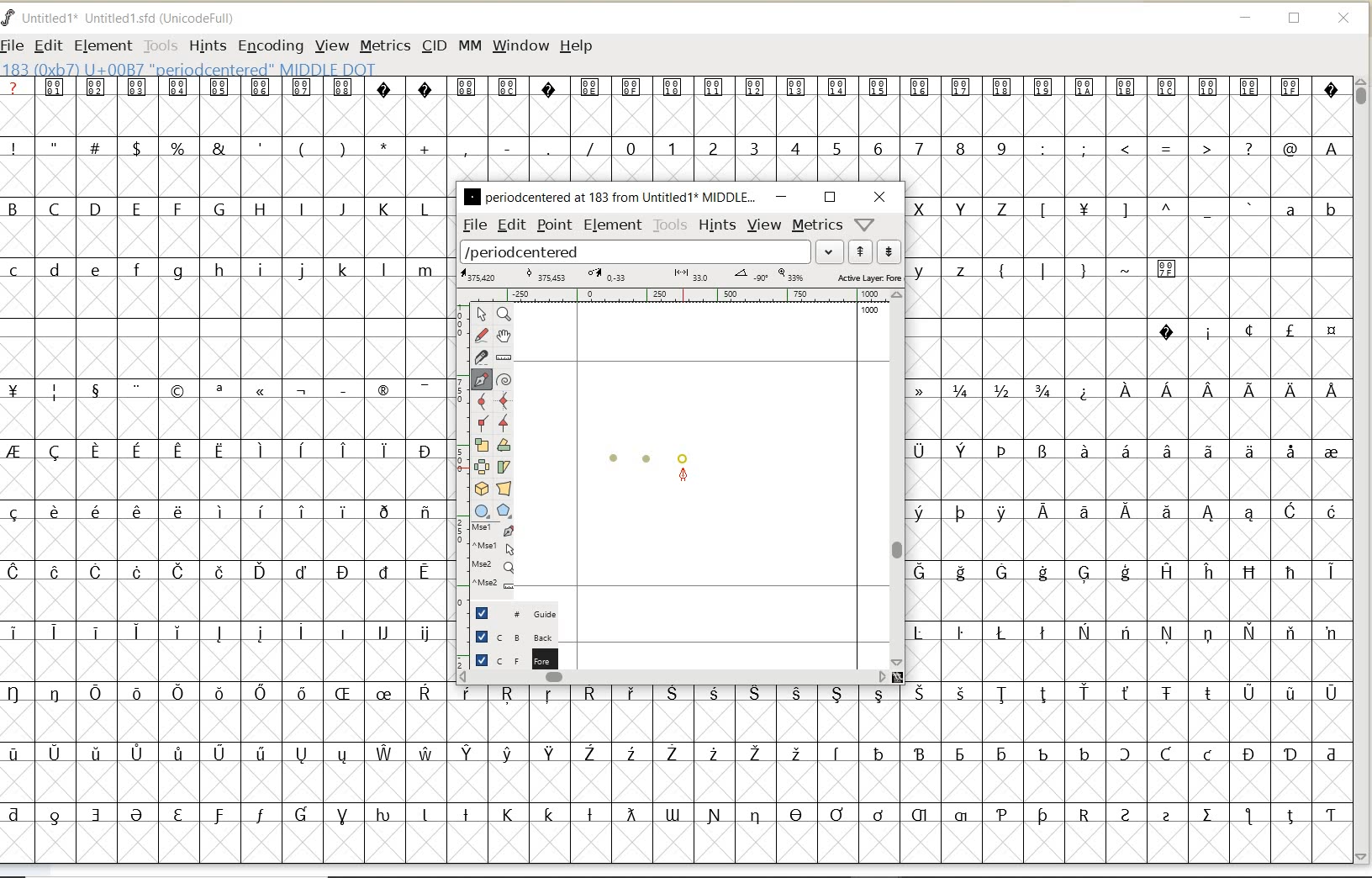  Describe the element at coordinates (481, 357) in the screenshot. I see `cut splines in two` at that location.